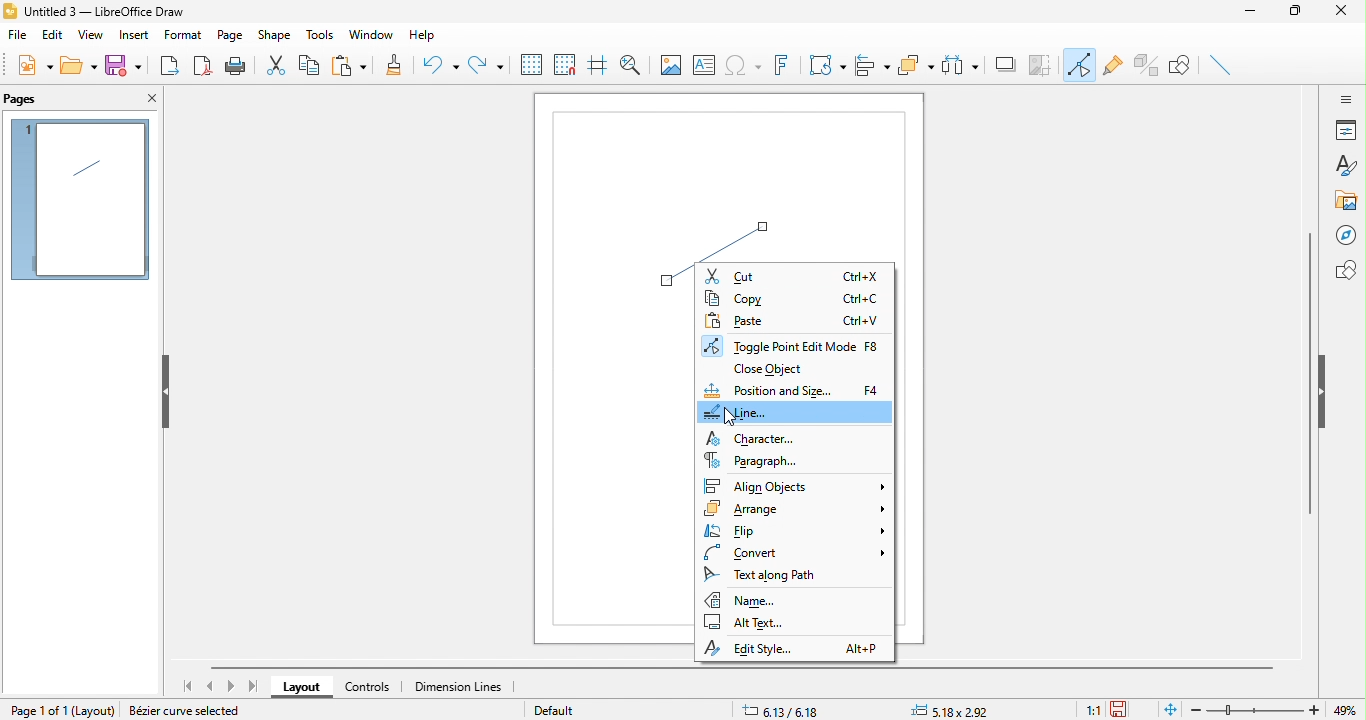 Image resolution: width=1366 pixels, height=720 pixels. Describe the element at coordinates (777, 574) in the screenshot. I see `text along path` at that location.